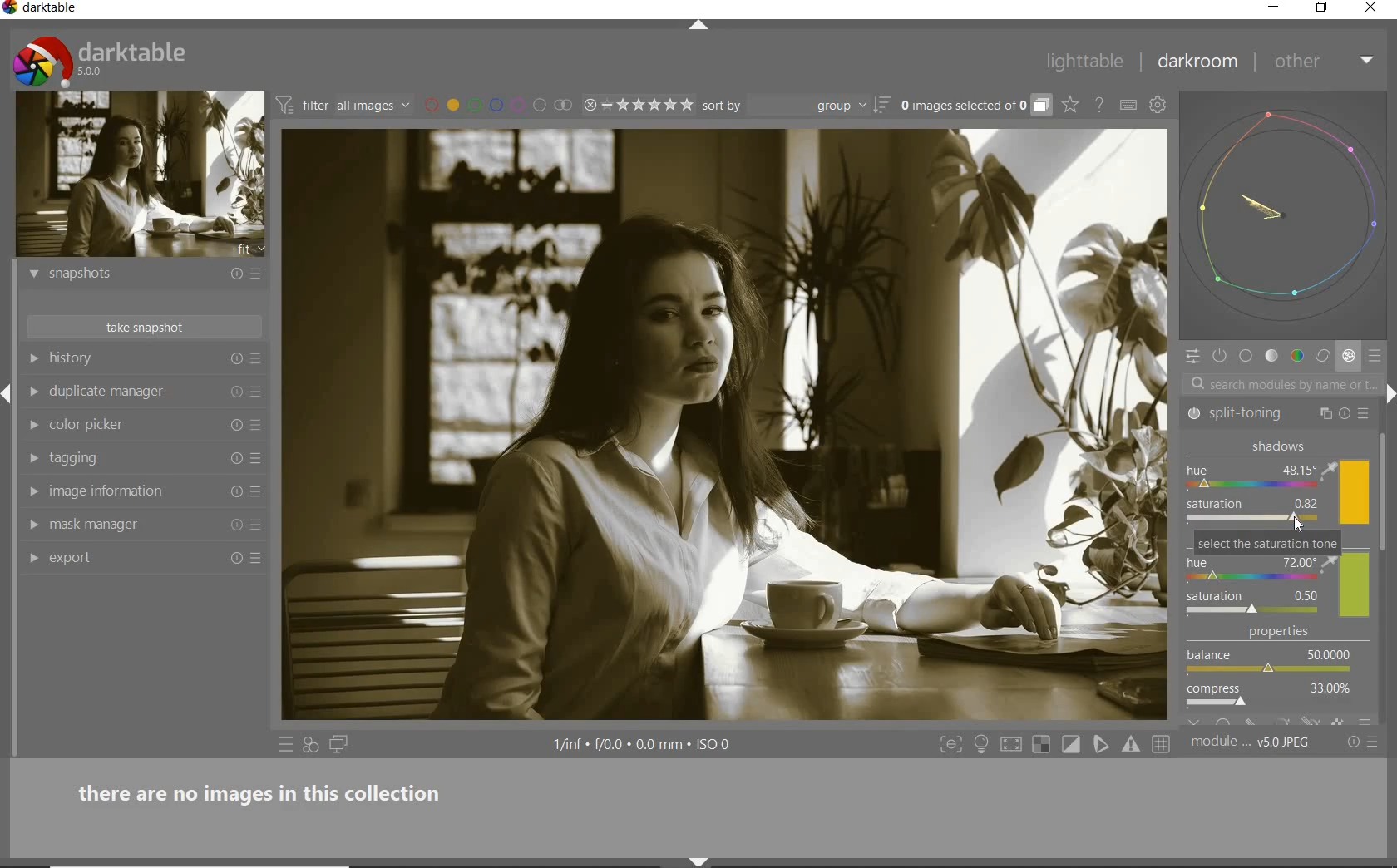 This screenshot has width=1397, height=868. What do you see at coordinates (232, 276) in the screenshot?
I see `reset` at bounding box center [232, 276].